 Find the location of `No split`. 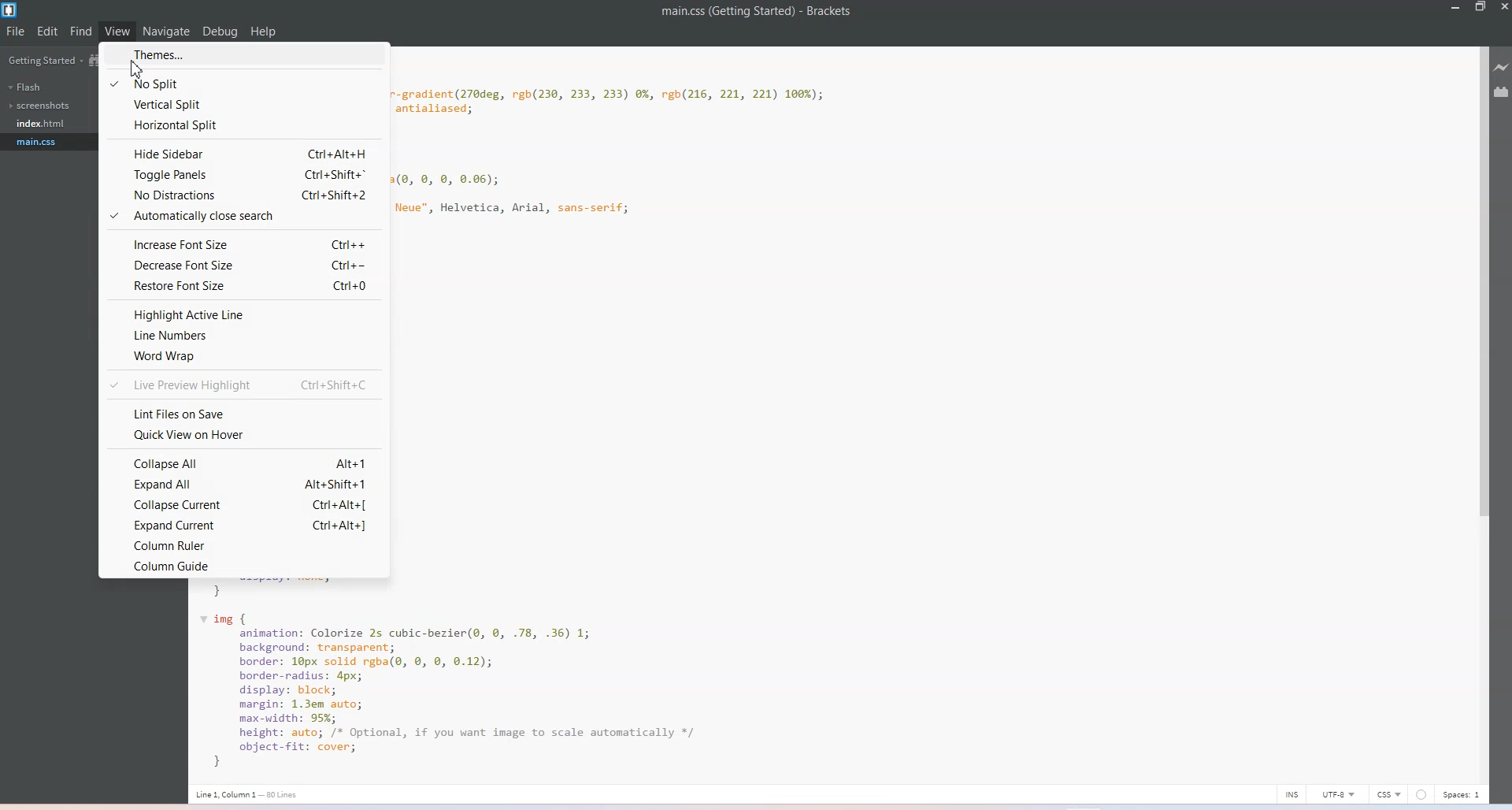

No split is located at coordinates (245, 81).